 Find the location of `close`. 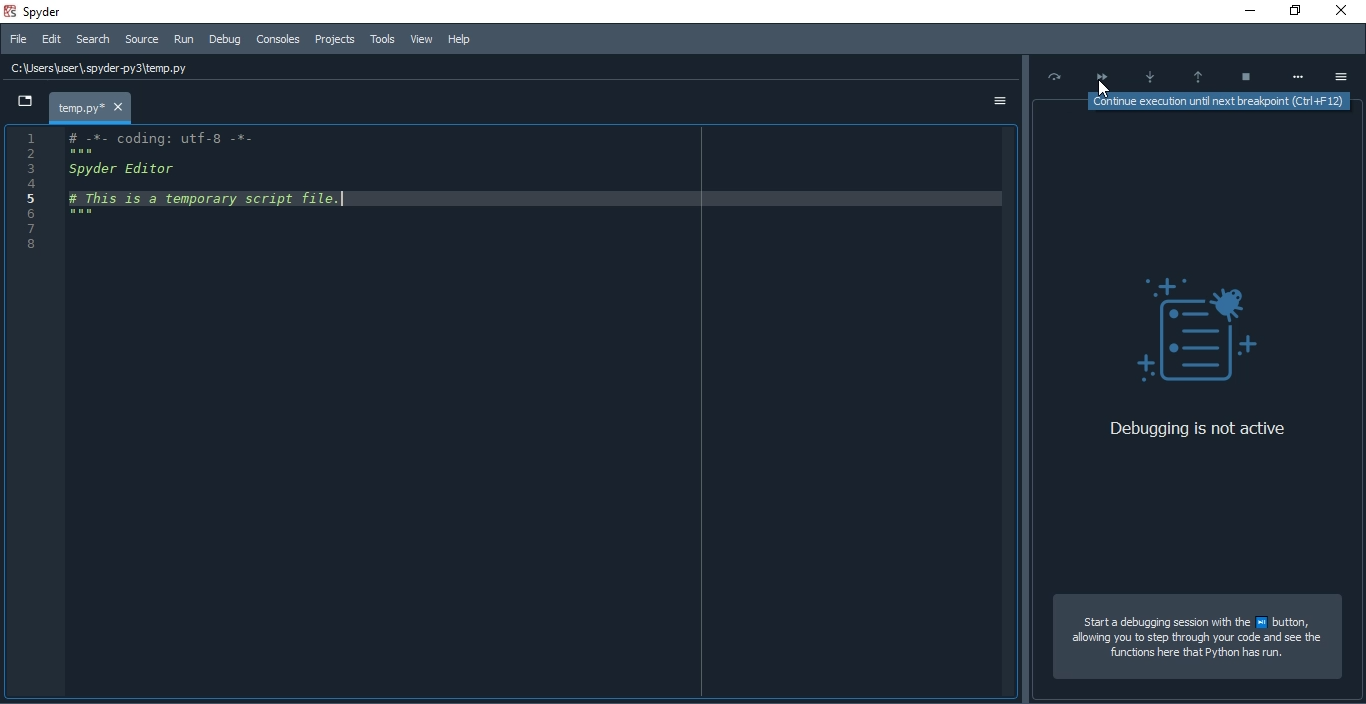

close is located at coordinates (1346, 11).